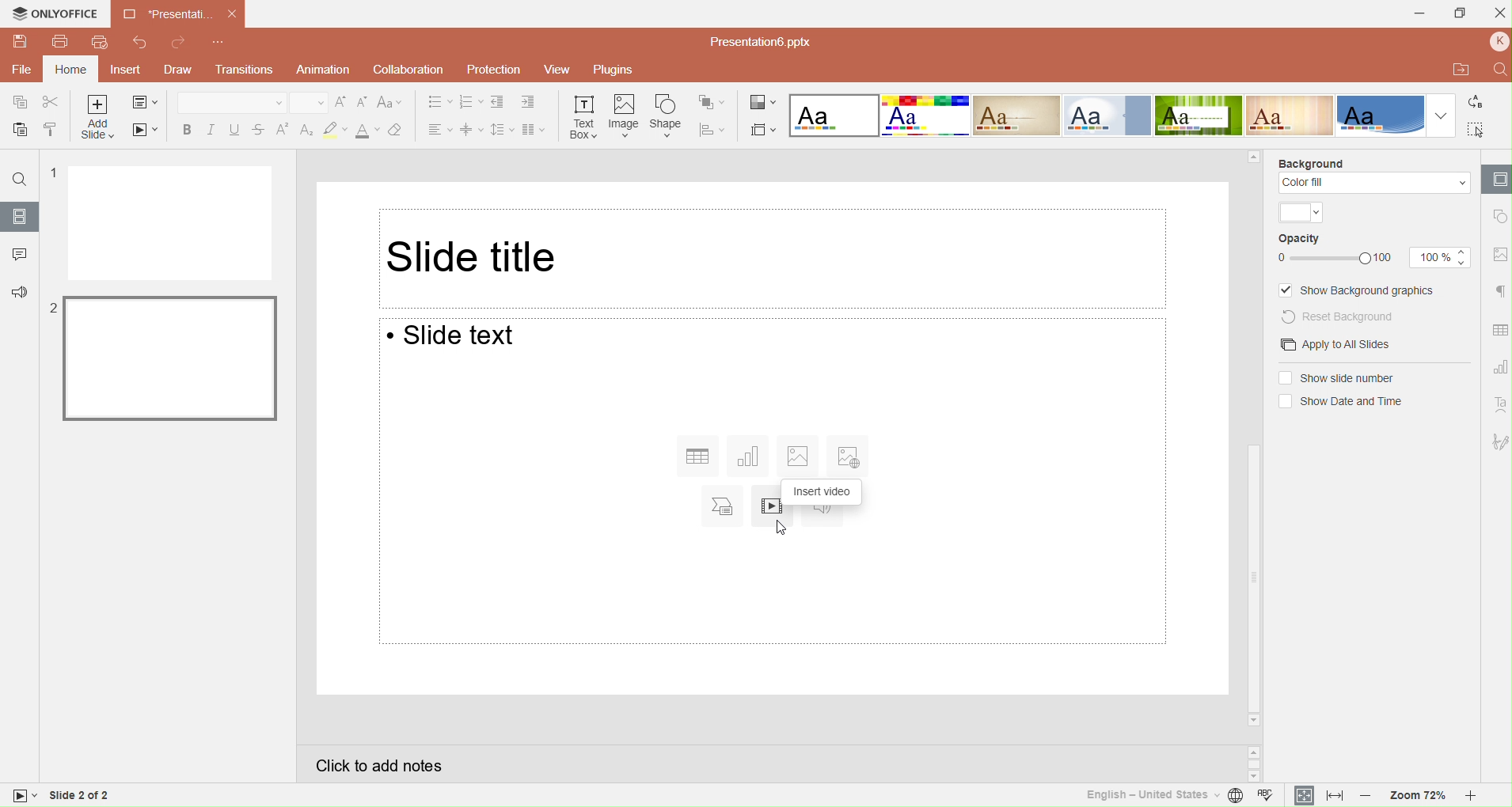  I want to click on Paragraph setting, so click(1498, 292).